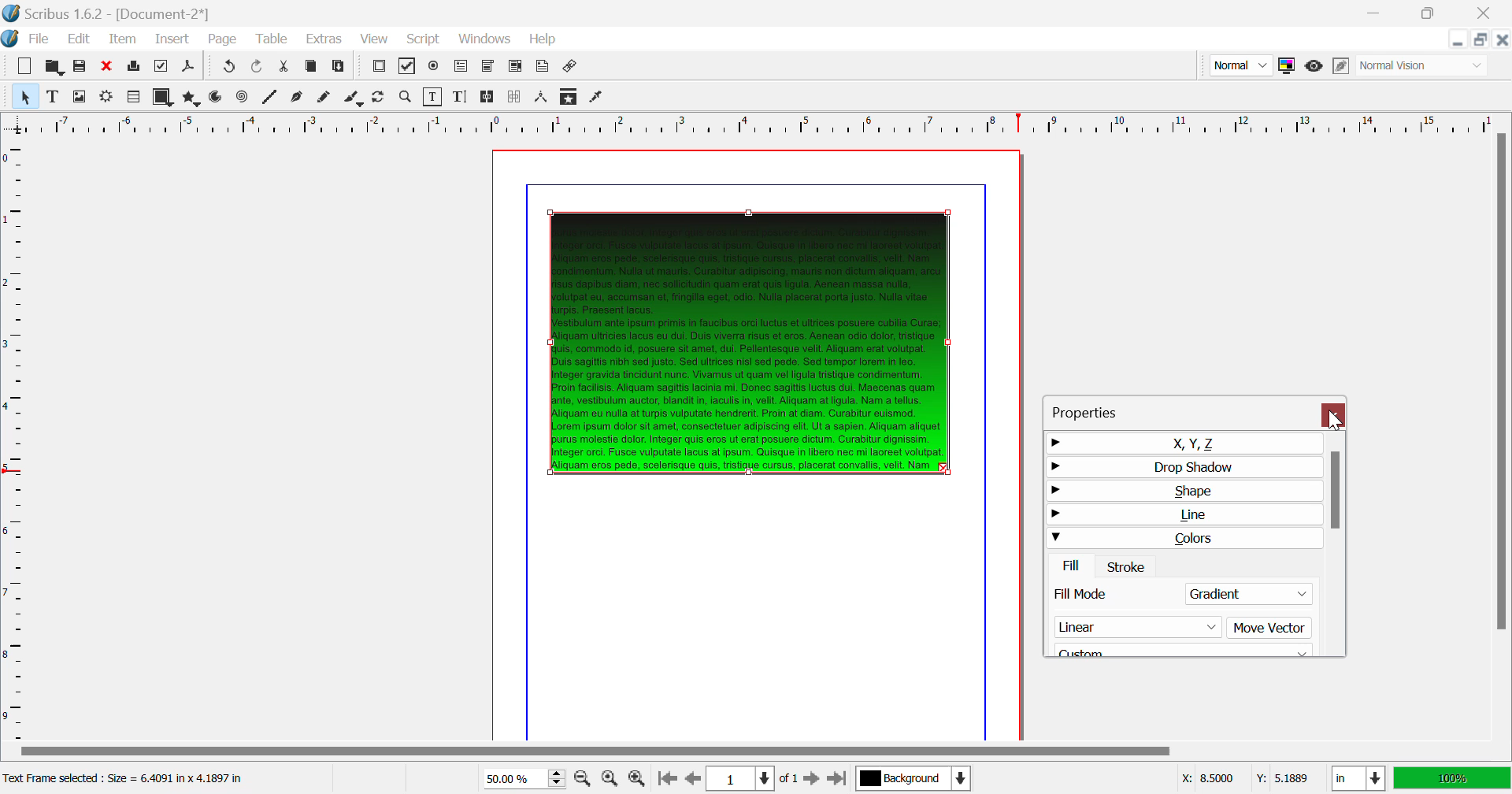  What do you see at coordinates (1183, 517) in the screenshot?
I see `Line` at bounding box center [1183, 517].